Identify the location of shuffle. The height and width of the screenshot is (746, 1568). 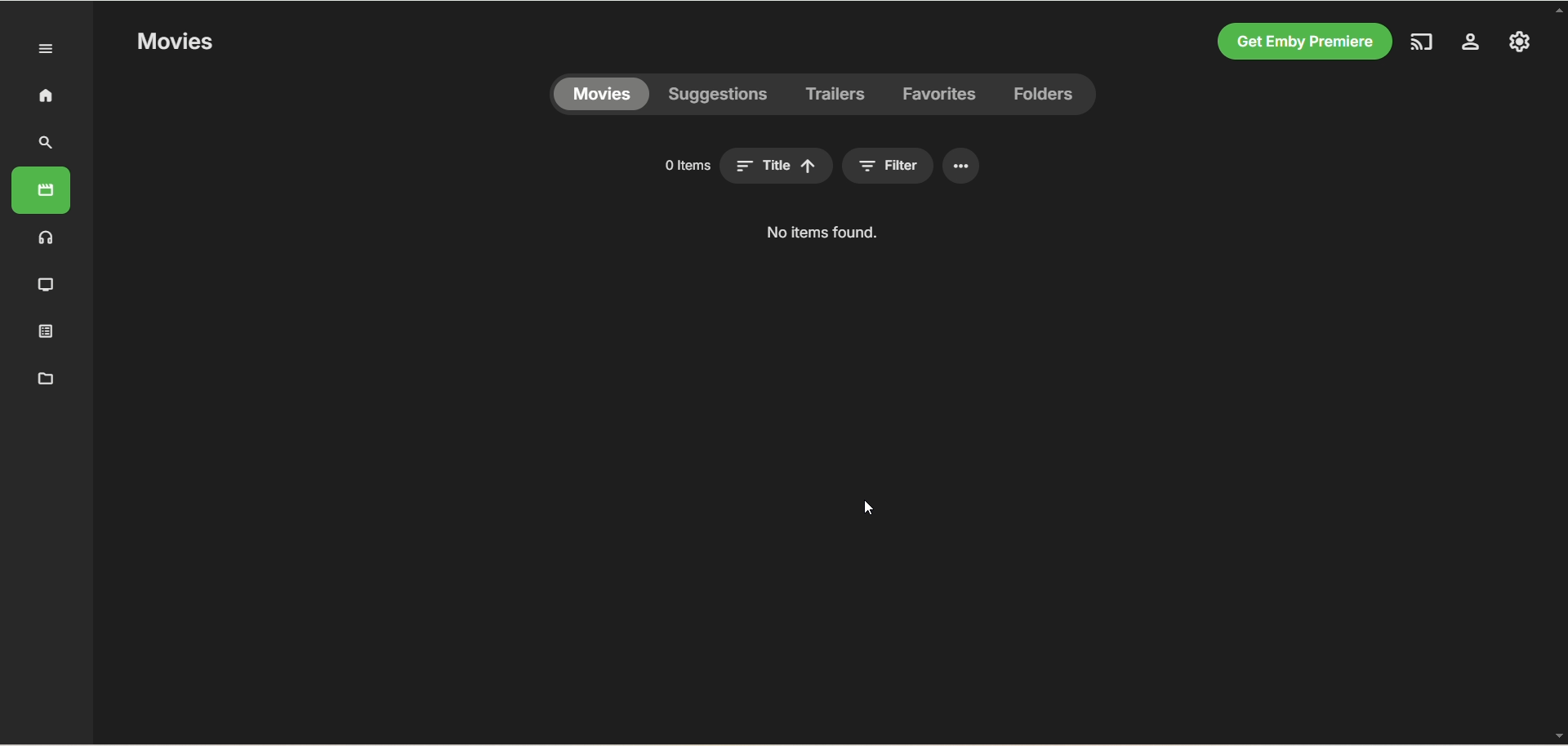
(758, 166).